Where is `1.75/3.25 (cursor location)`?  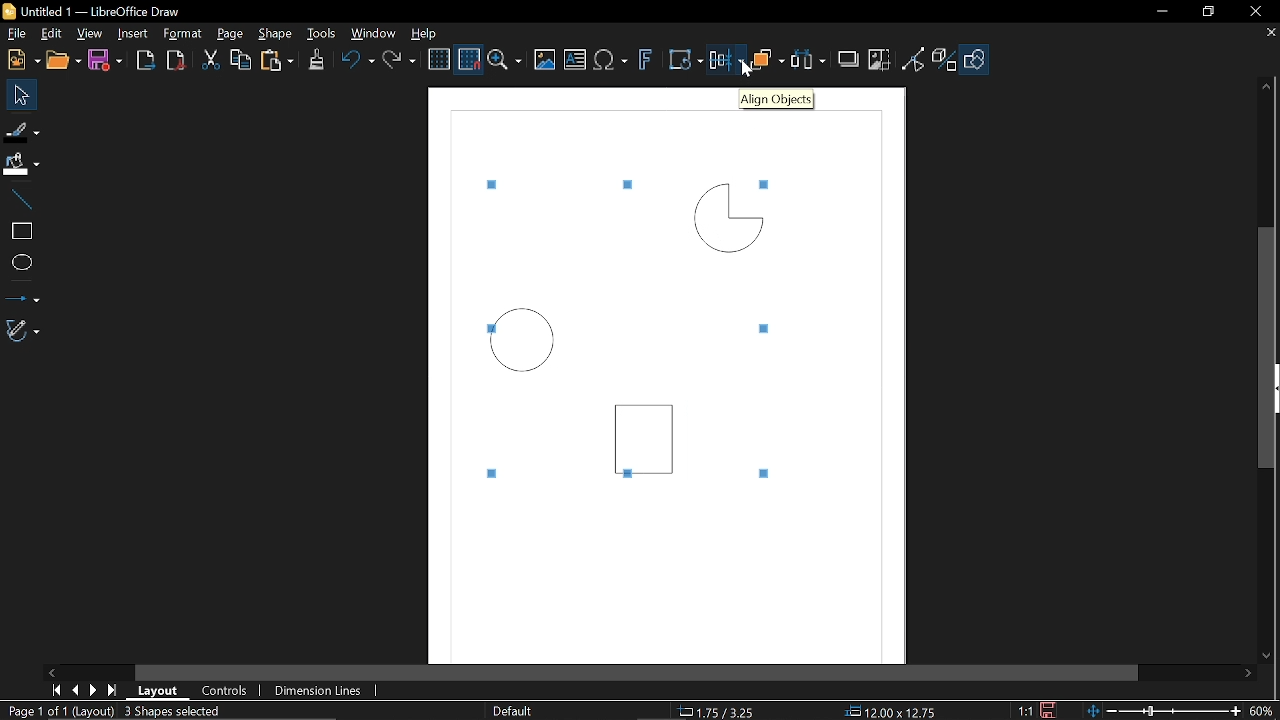 1.75/3.25 (cursor location) is located at coordinates (721, 709).